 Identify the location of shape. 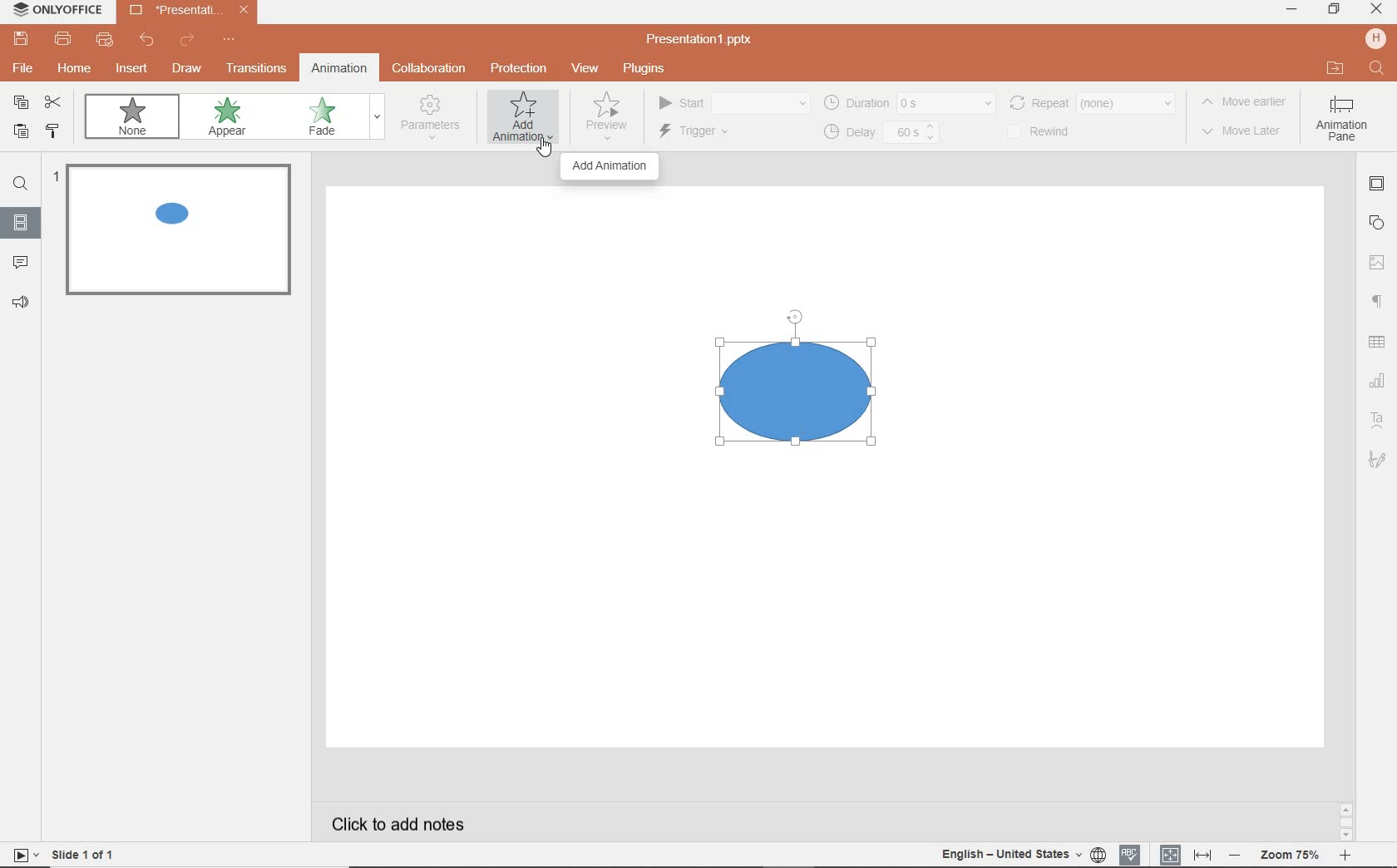
(807, 412).